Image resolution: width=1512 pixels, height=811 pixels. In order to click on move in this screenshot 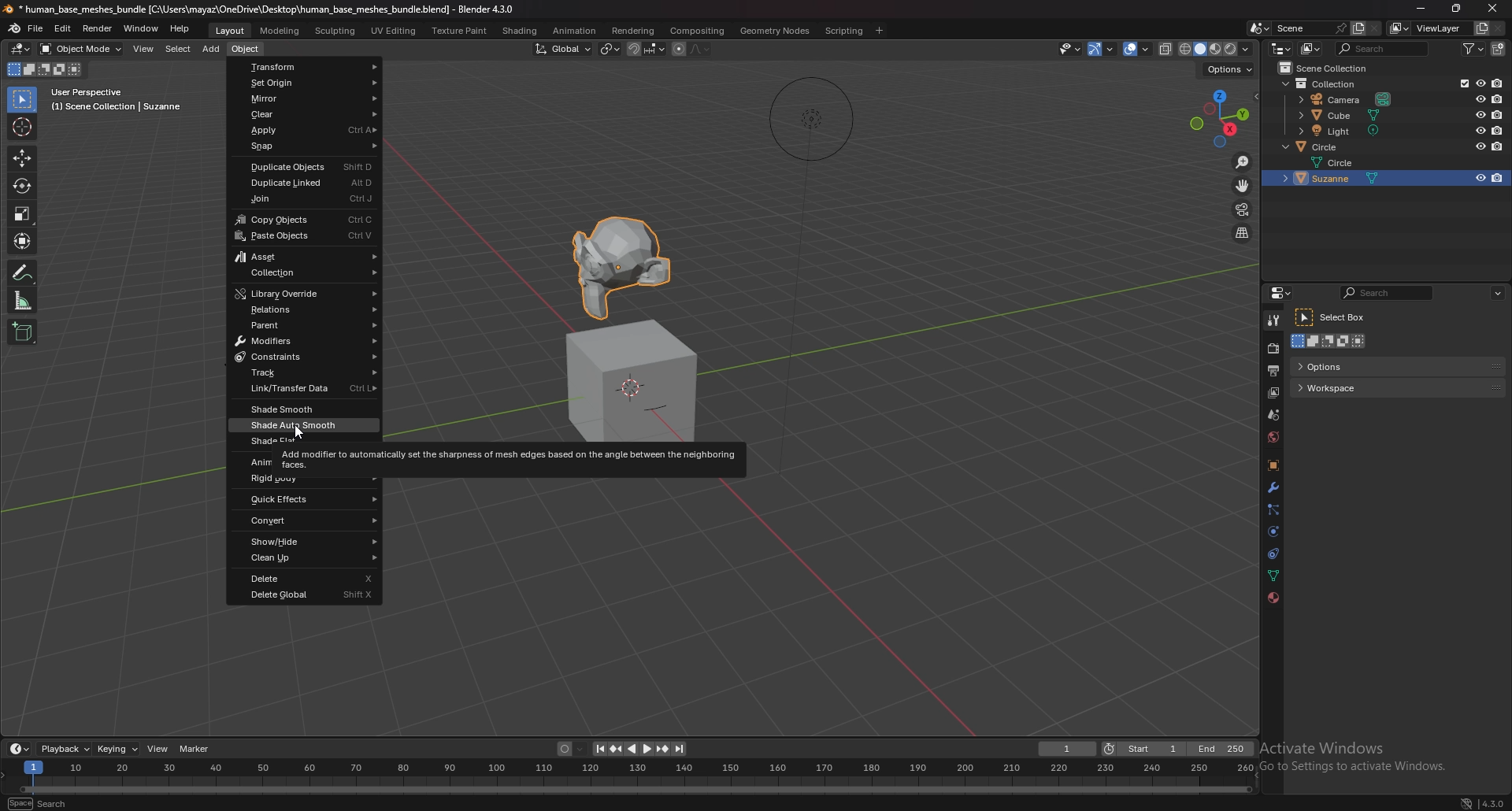, I will do `click(1243, 185)`.